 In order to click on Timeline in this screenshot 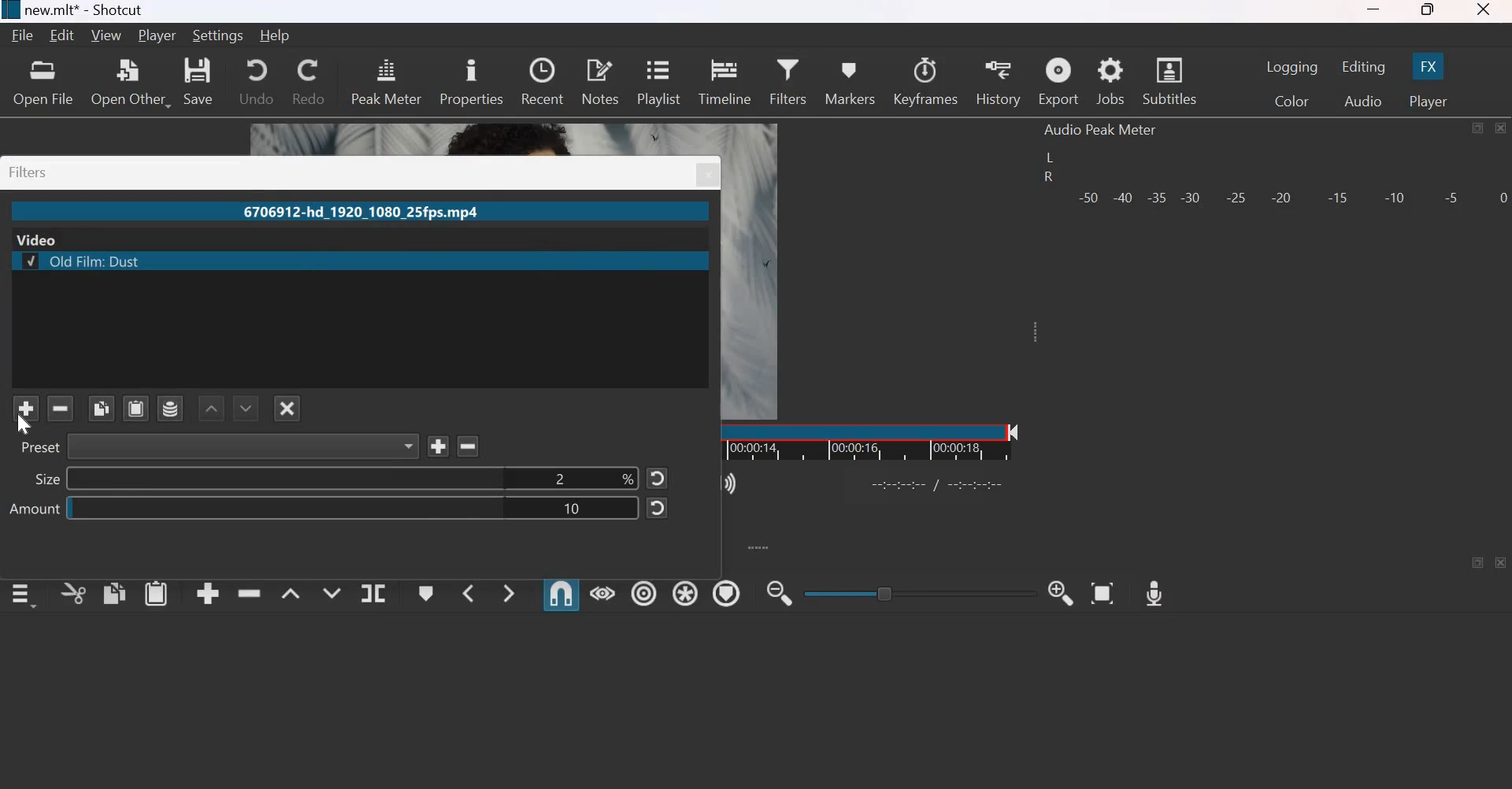, I will do `click(894, 441)`.